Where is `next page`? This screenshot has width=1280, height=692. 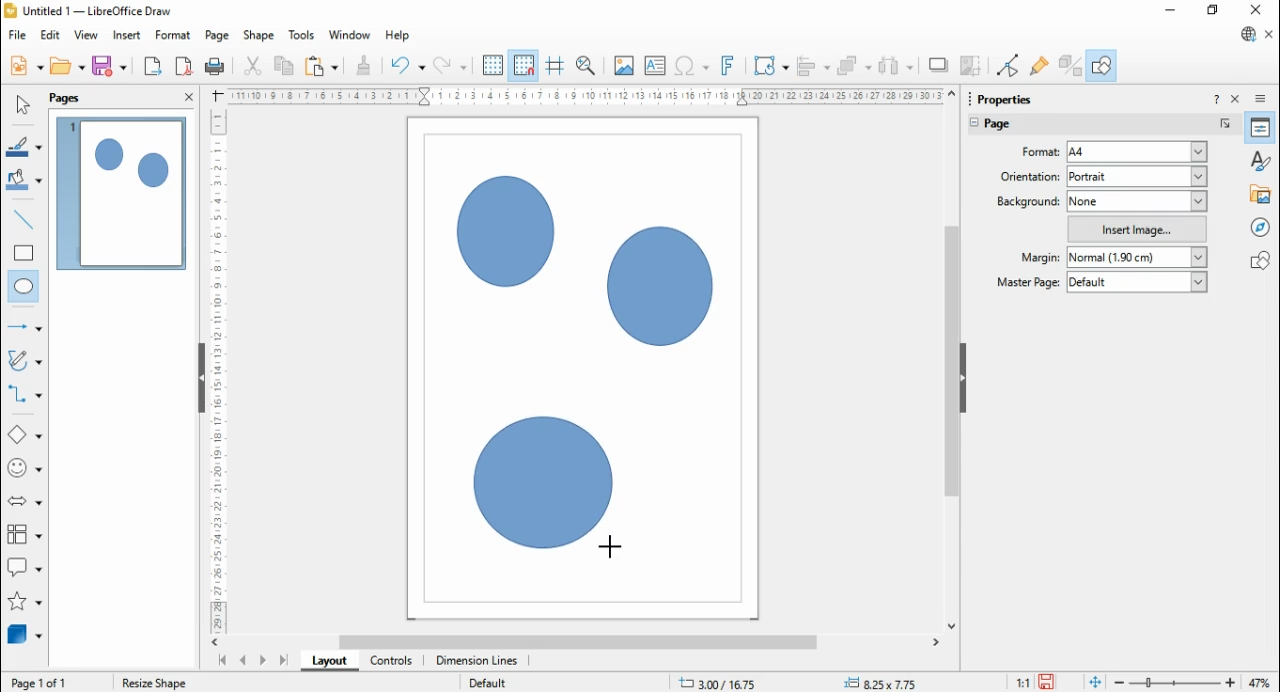 next page is located at coordinates (263, 662).